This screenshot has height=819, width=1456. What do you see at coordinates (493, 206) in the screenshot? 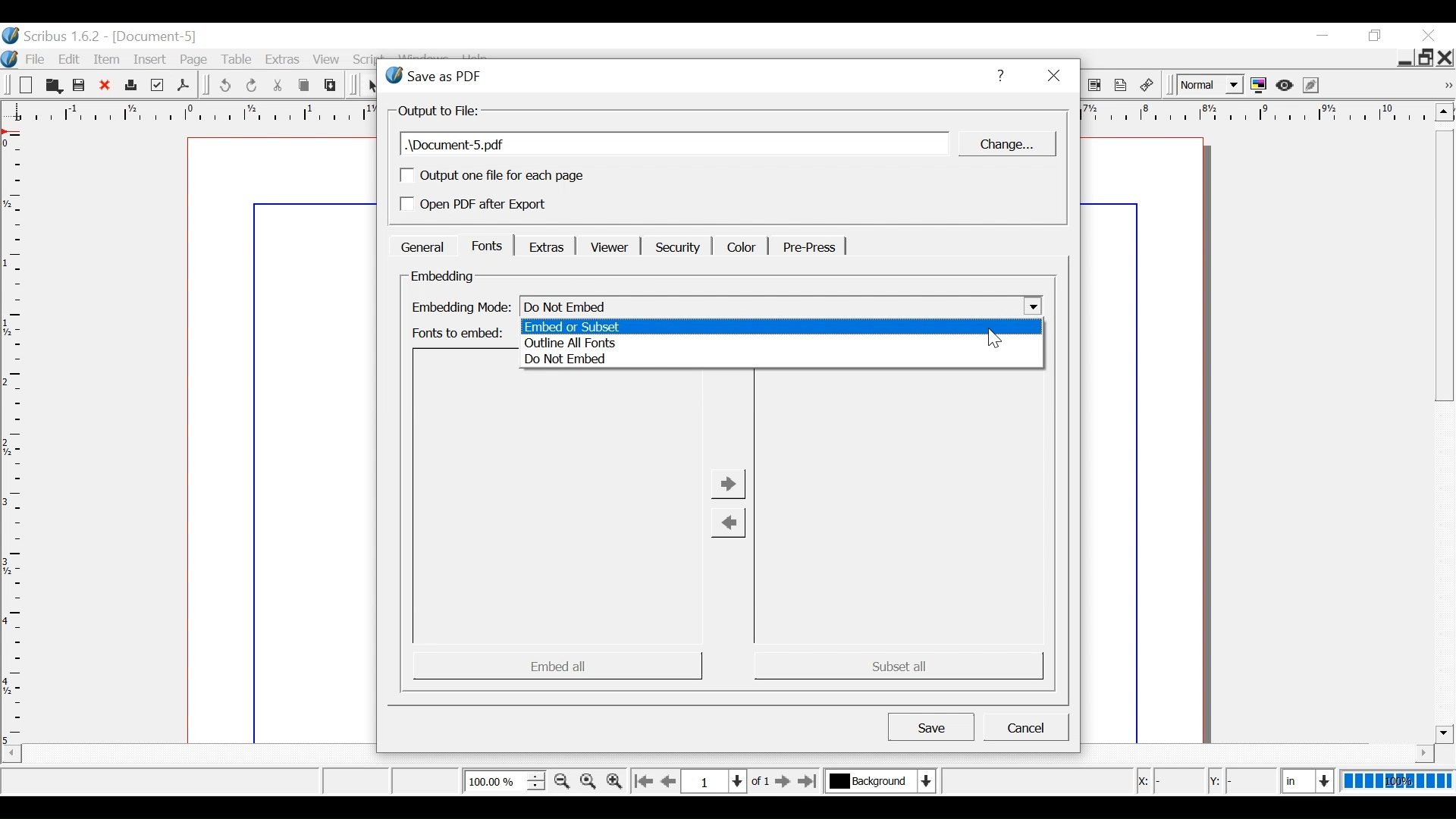
I see `(un)select Open PDF after Export` at bounding box center [493, 206].